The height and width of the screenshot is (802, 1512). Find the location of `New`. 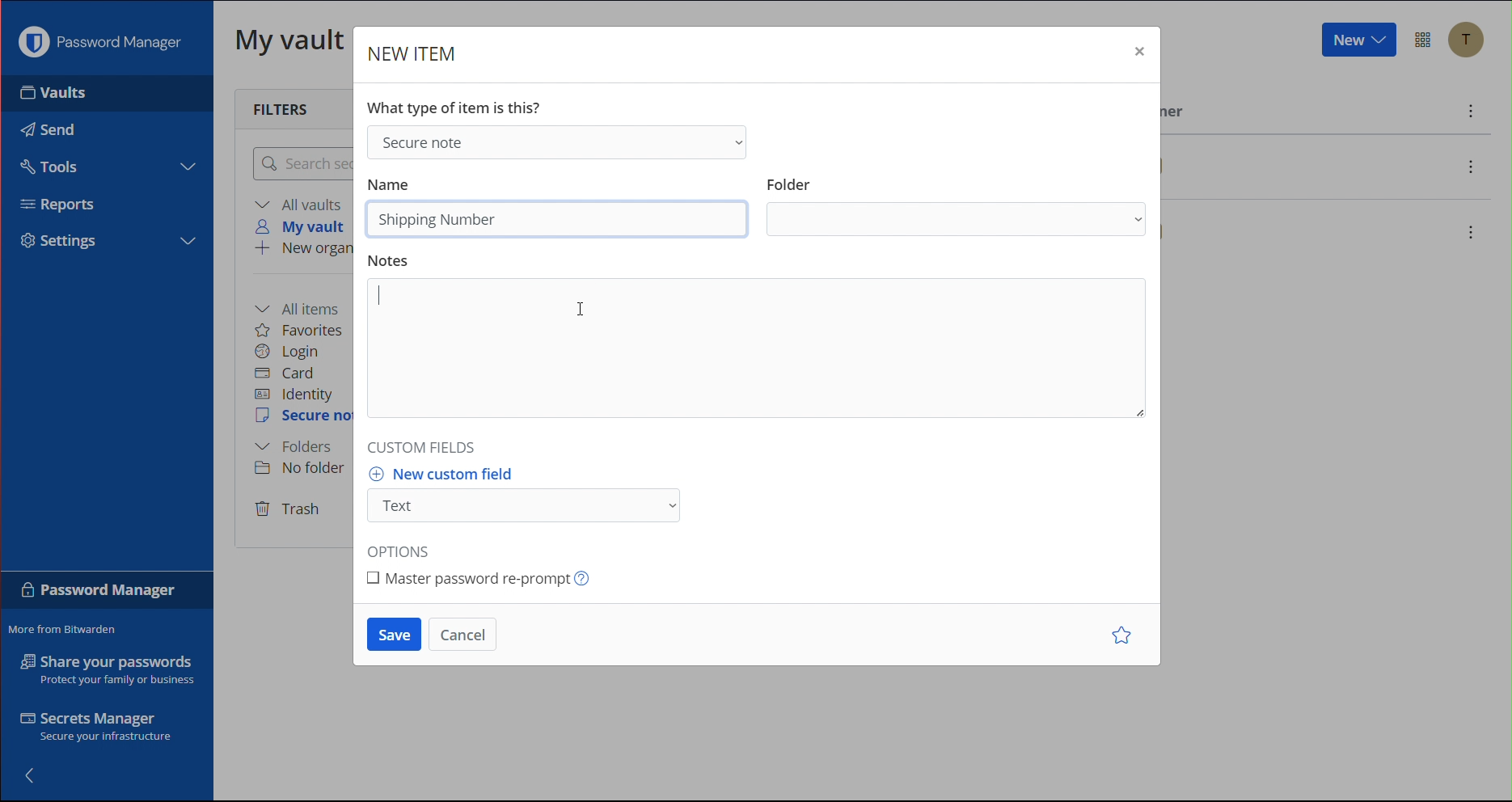

New is located at coordinates (1358, 42).